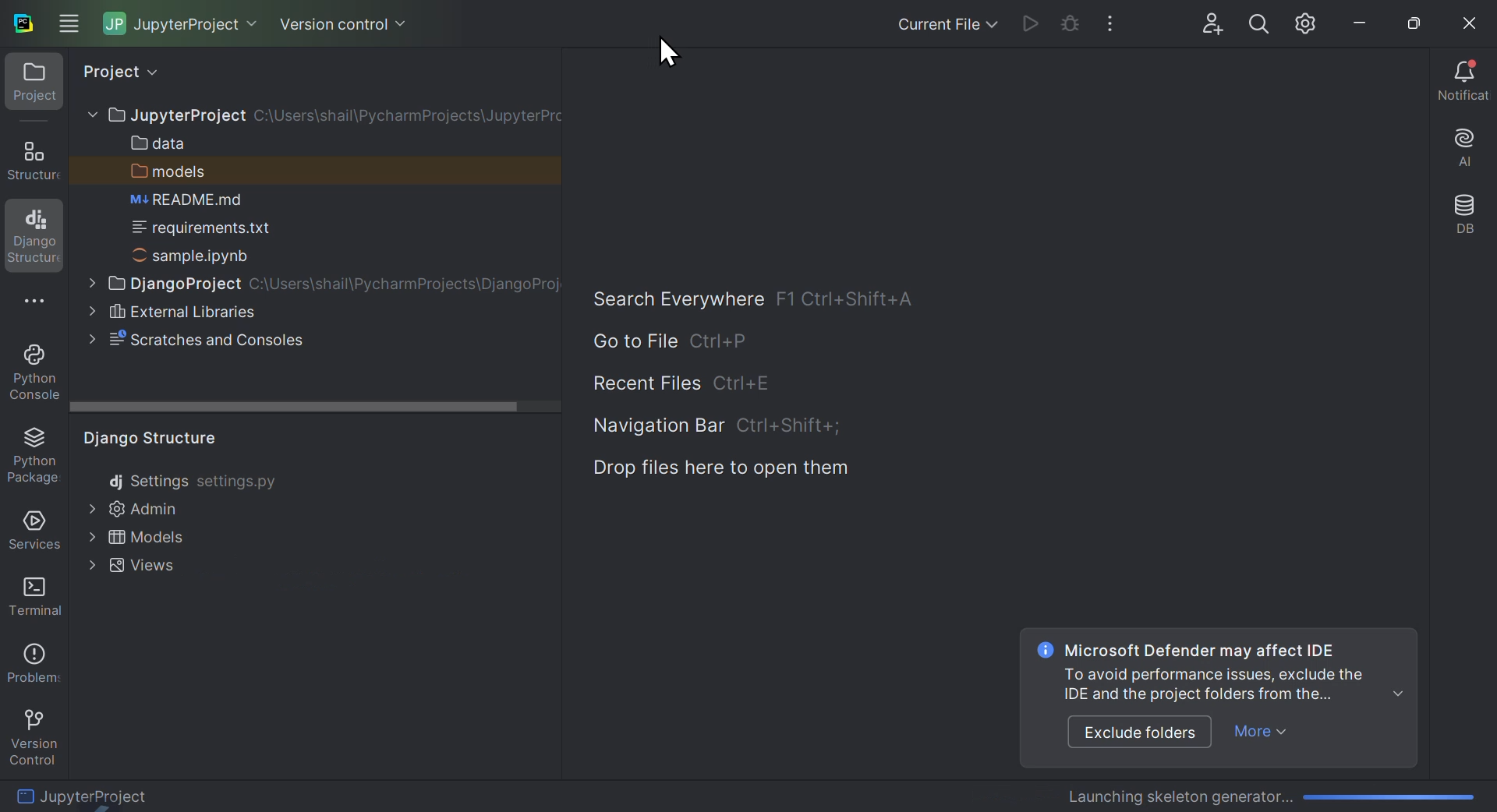 This screenshot has height=812, width=1497. Describe the element at coordinates (656, 427) in the screenshot. I see `Navigation Bar` at that location.